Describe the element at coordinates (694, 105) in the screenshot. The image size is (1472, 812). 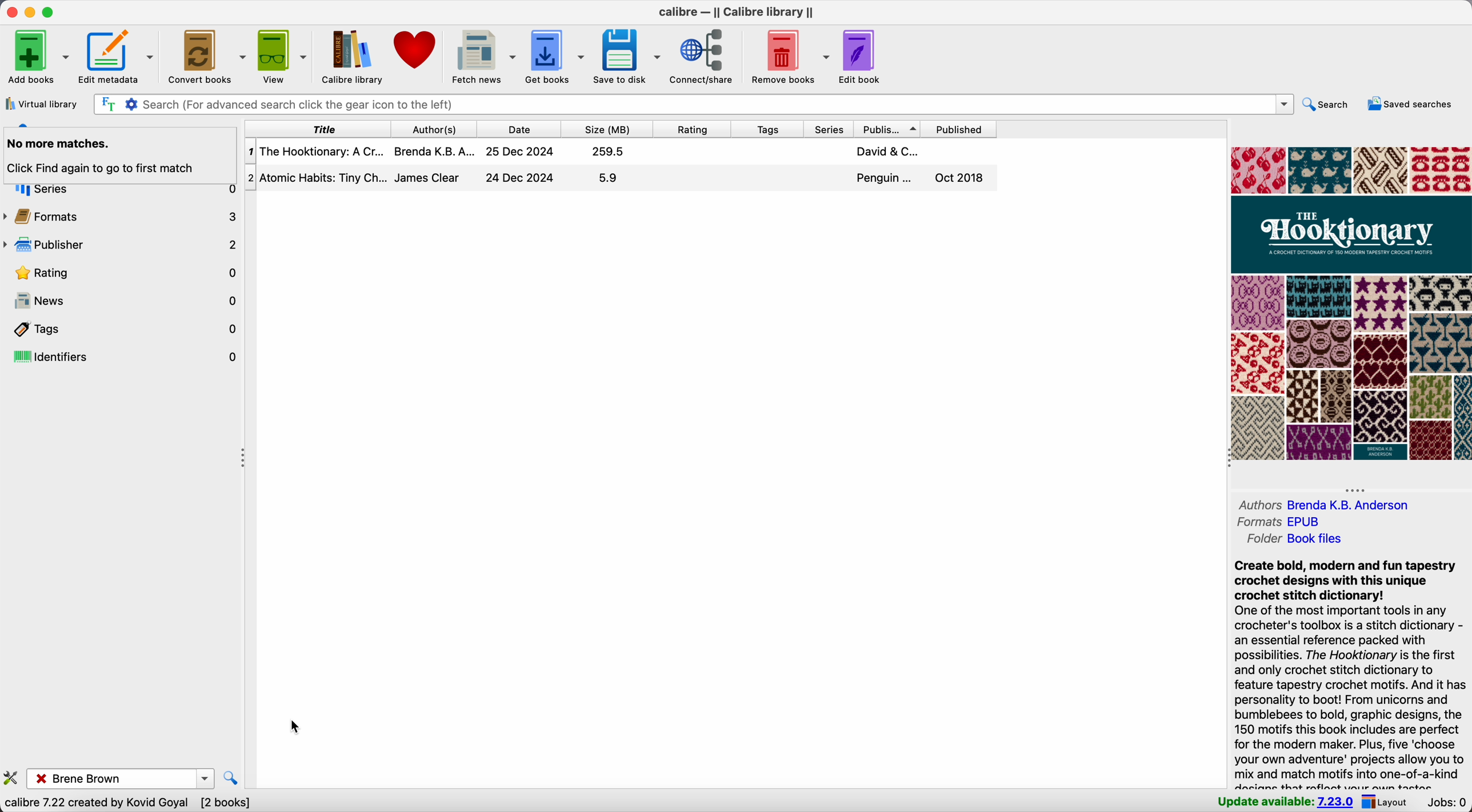
I see `search bar` at that location.